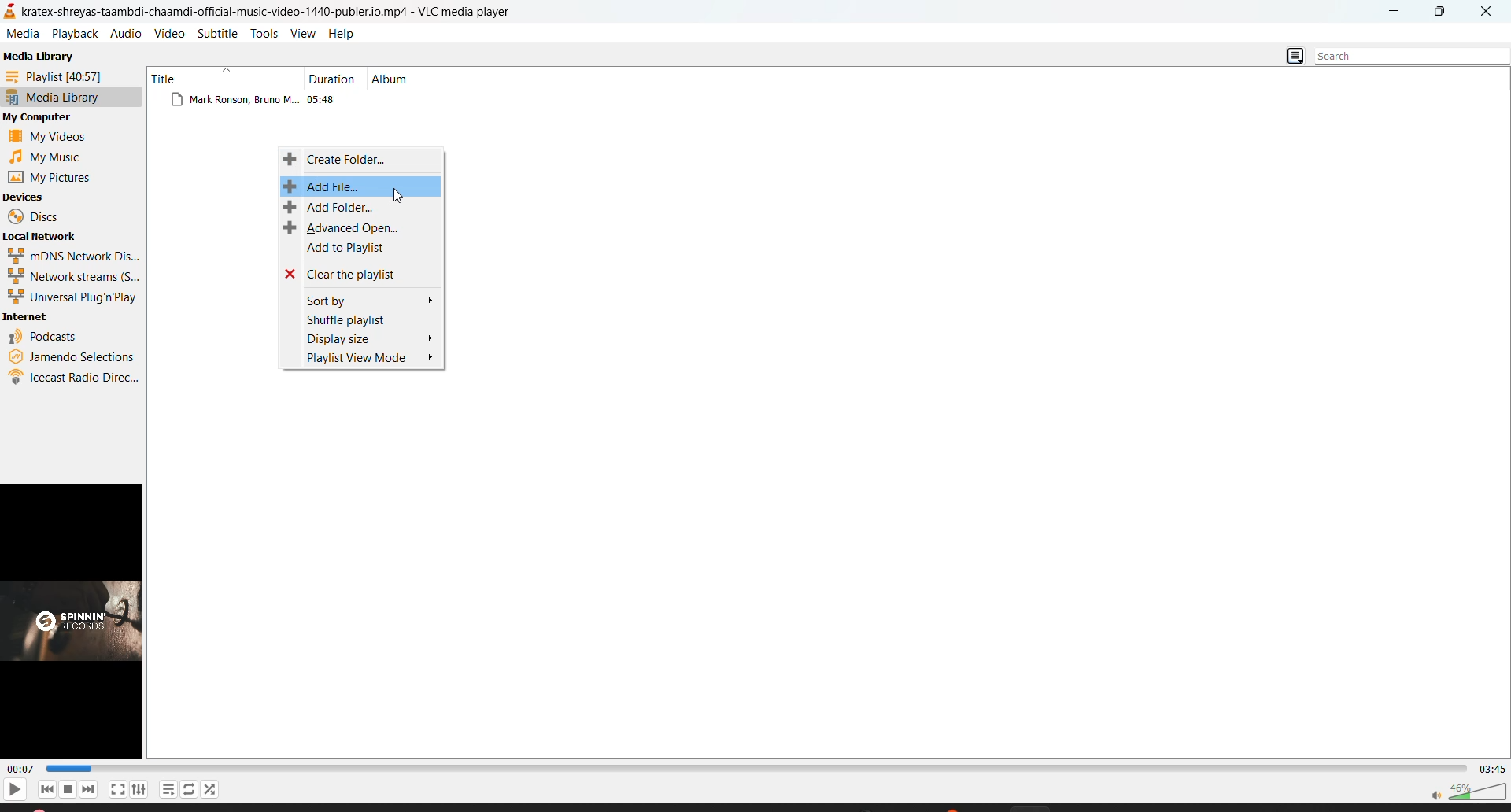 This screenshot has height=812, width=1511. What do you see at coordinates (41, 58) in the screenshot?
I see `media library` at bounding box center [41, 58].